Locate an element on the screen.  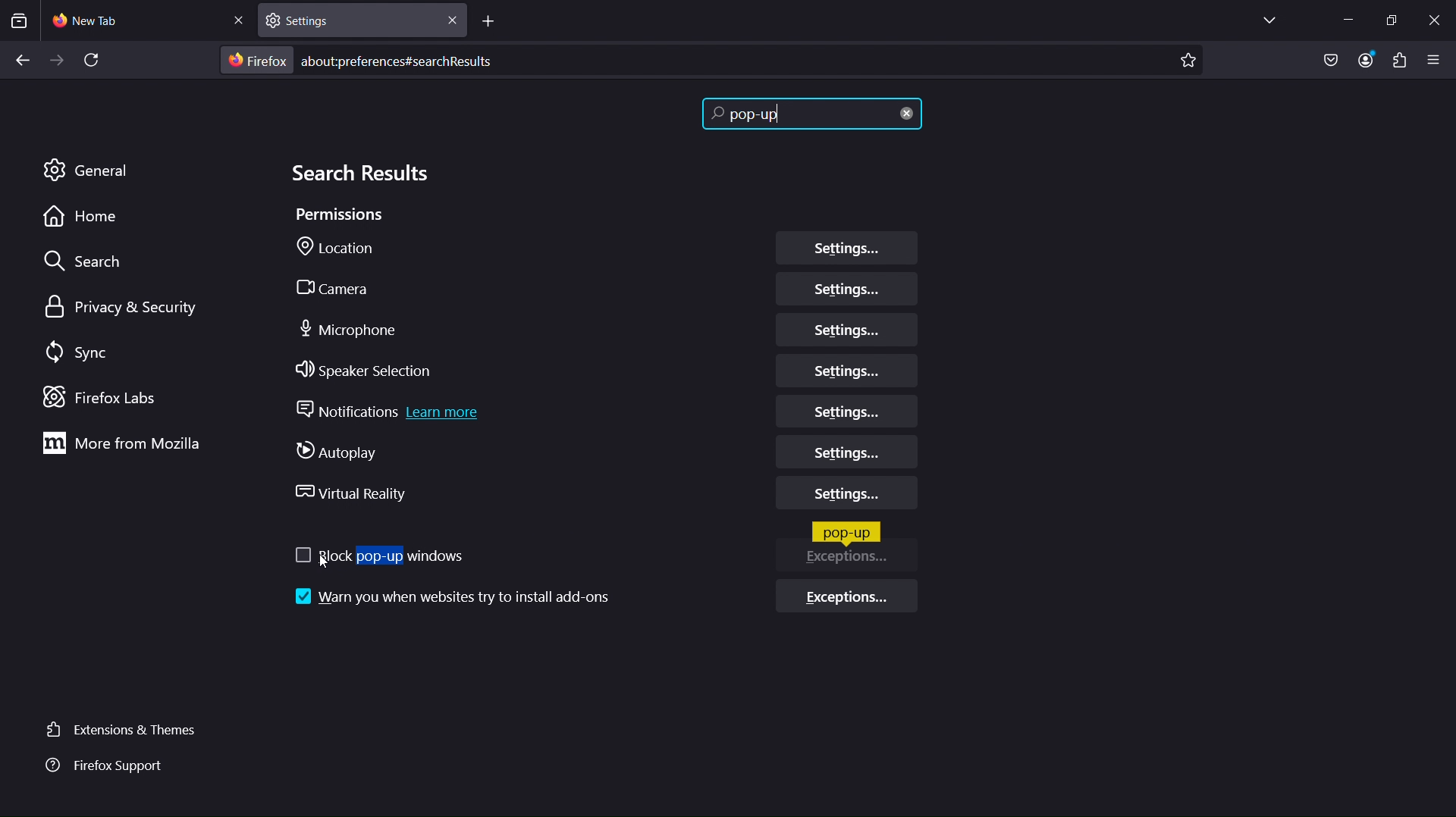
New Tab is located at coordinates (149, 22).